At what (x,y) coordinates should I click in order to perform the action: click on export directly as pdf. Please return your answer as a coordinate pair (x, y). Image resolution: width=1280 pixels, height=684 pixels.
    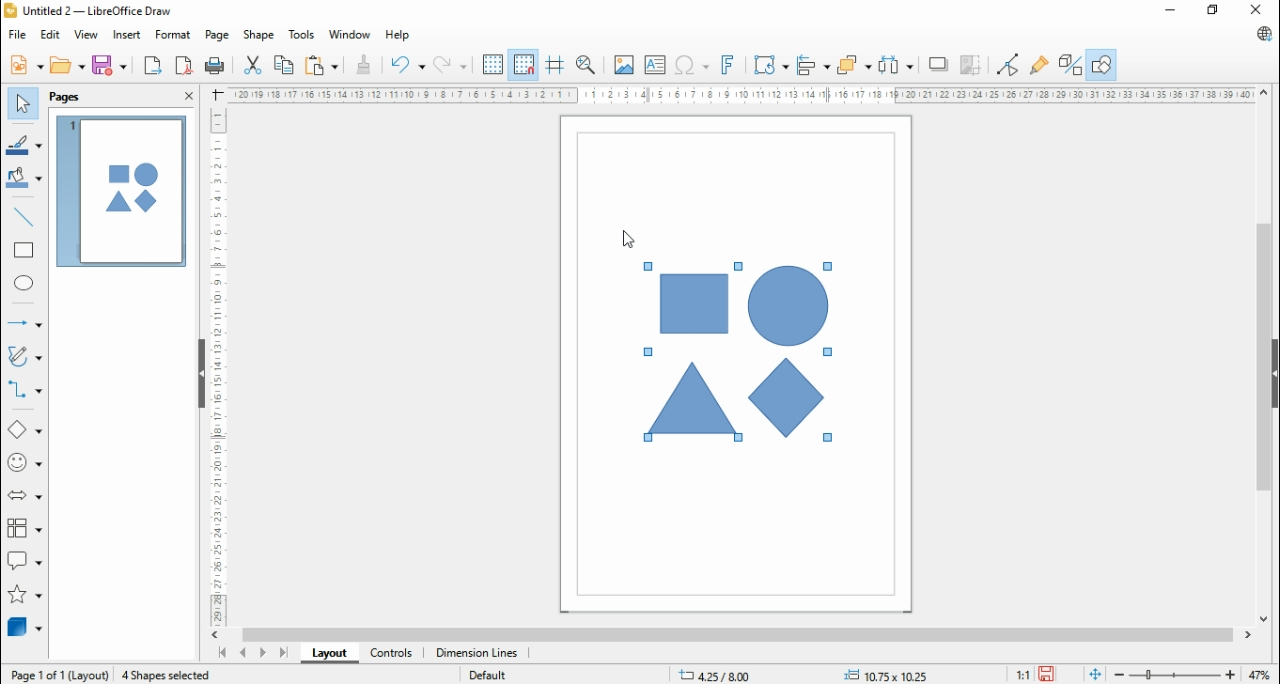
    Looking at the image, I should click on (183, 65).